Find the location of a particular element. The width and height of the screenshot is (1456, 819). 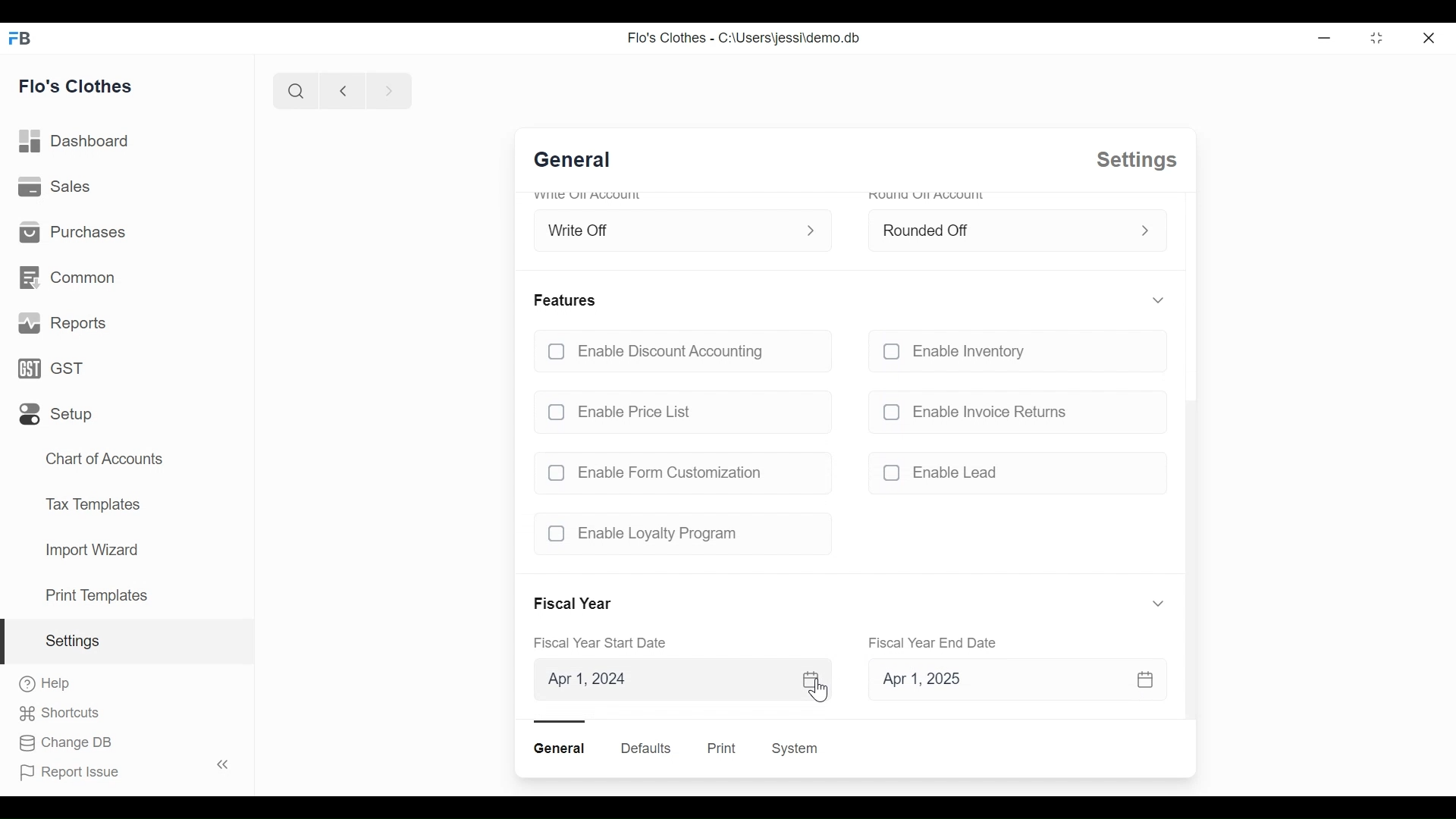

General is located at coordinates (562, 748).